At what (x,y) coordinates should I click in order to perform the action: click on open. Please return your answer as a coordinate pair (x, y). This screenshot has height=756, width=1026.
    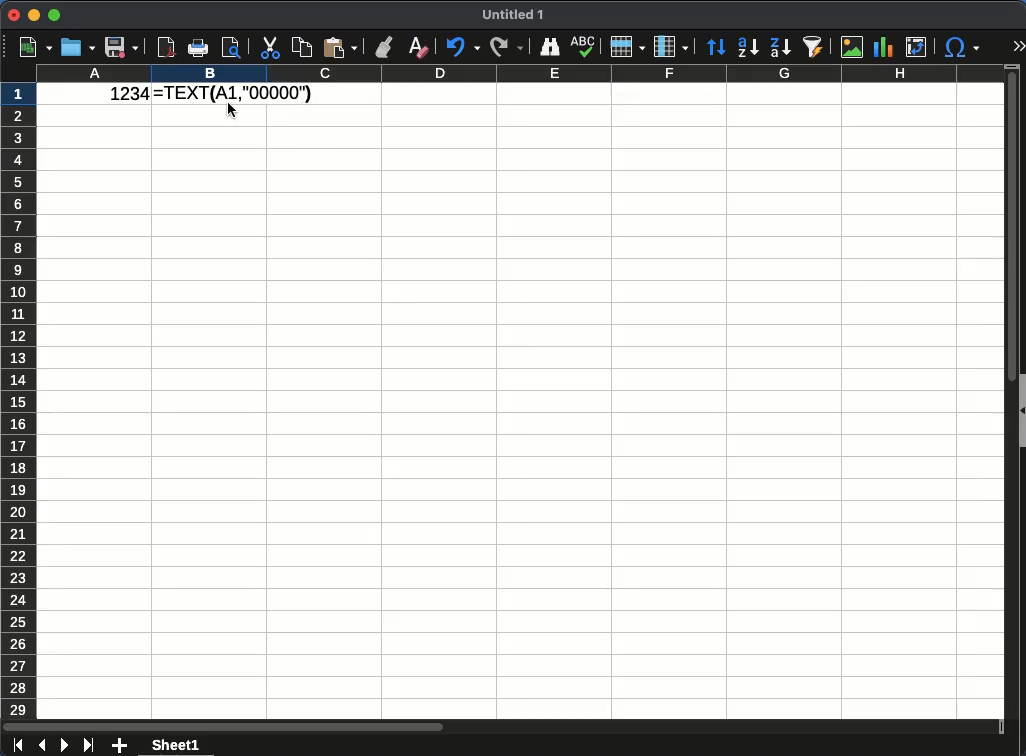
    Looking at the image, I should click on (78, 47).